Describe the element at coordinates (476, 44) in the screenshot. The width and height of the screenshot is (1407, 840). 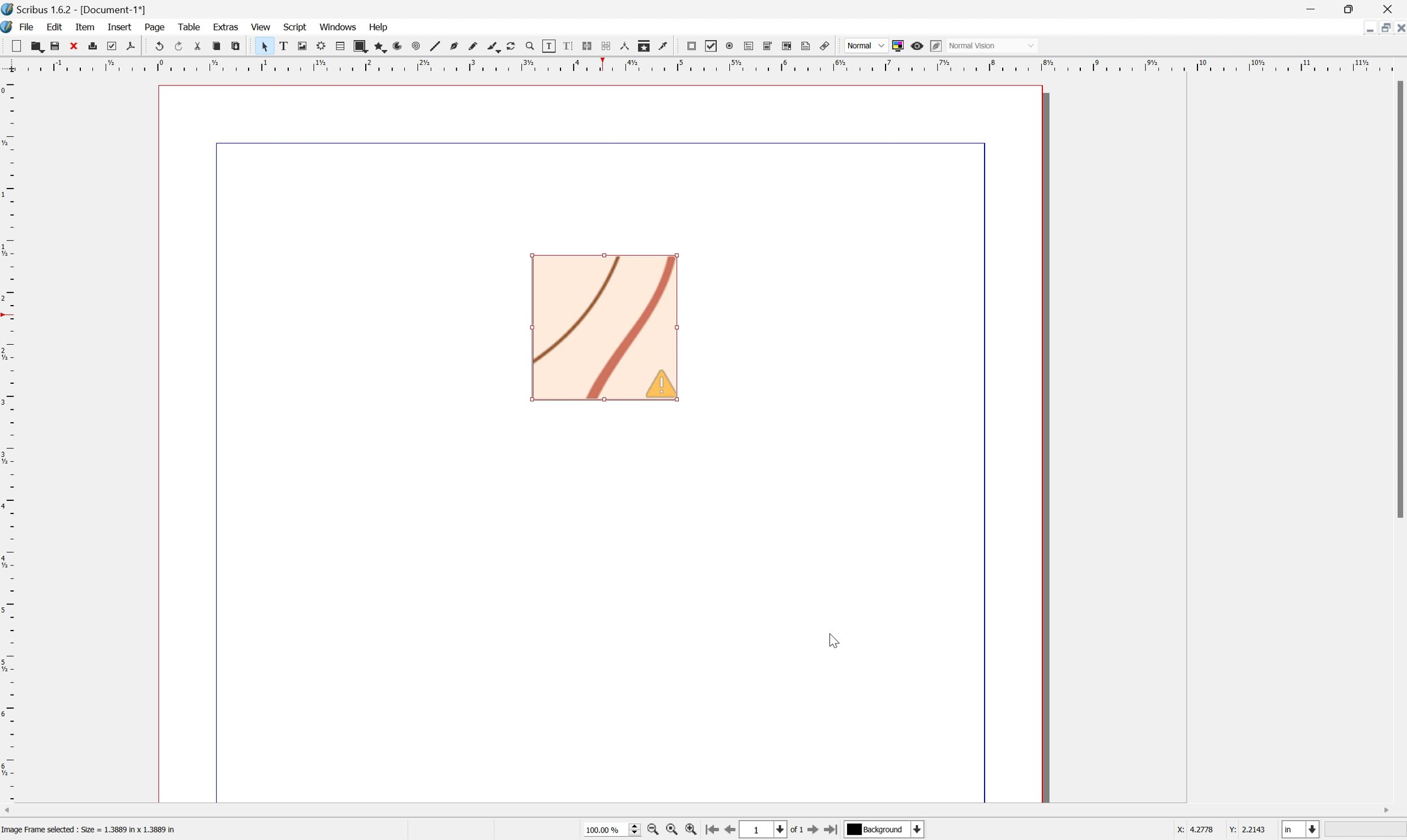
I see `Freehand line` at that location.